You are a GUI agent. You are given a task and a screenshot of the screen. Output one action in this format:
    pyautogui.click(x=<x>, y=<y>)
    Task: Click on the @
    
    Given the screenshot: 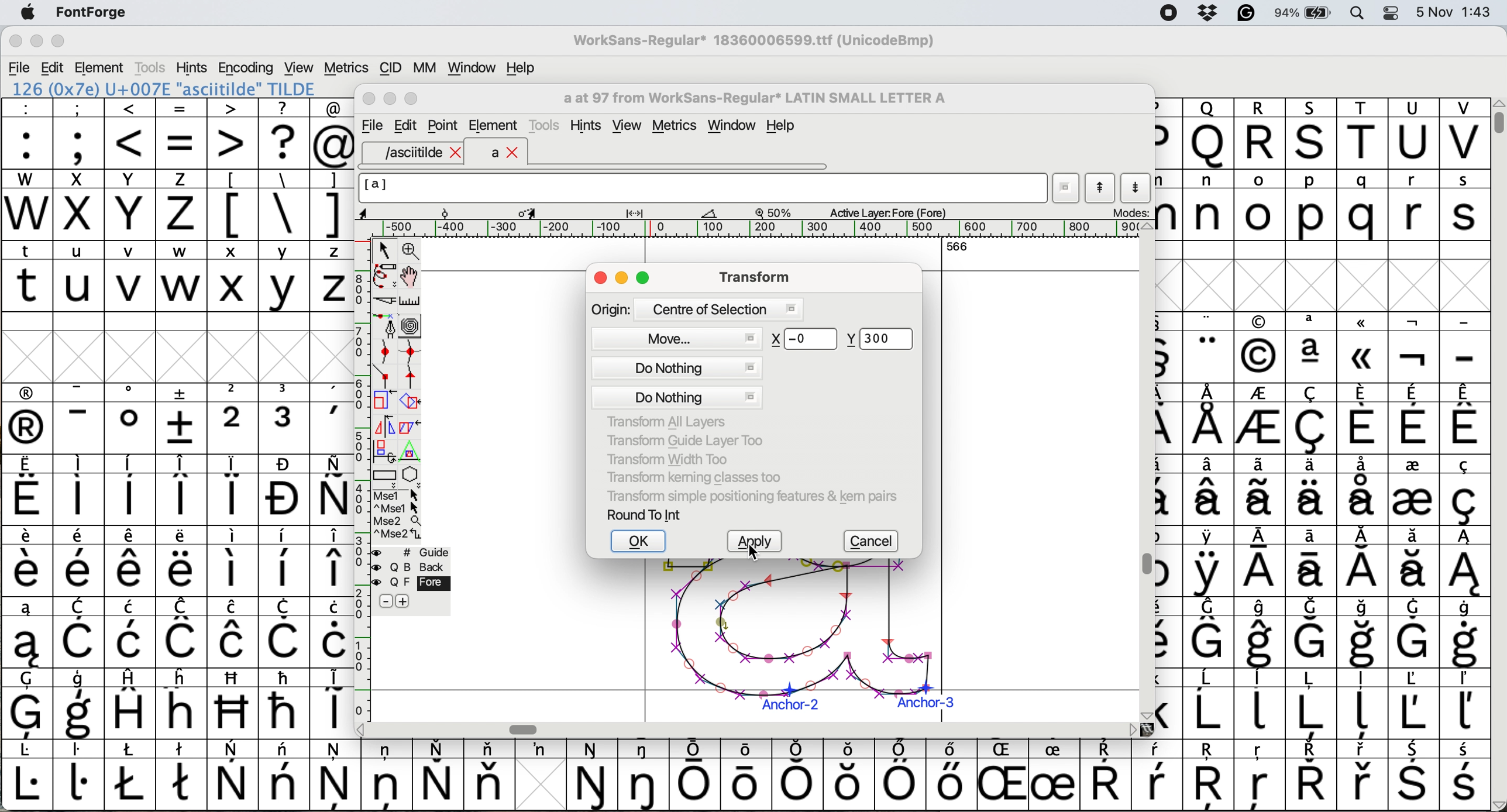 What is the action you would take?
    pyautogui.click(x=333, y=134)
    